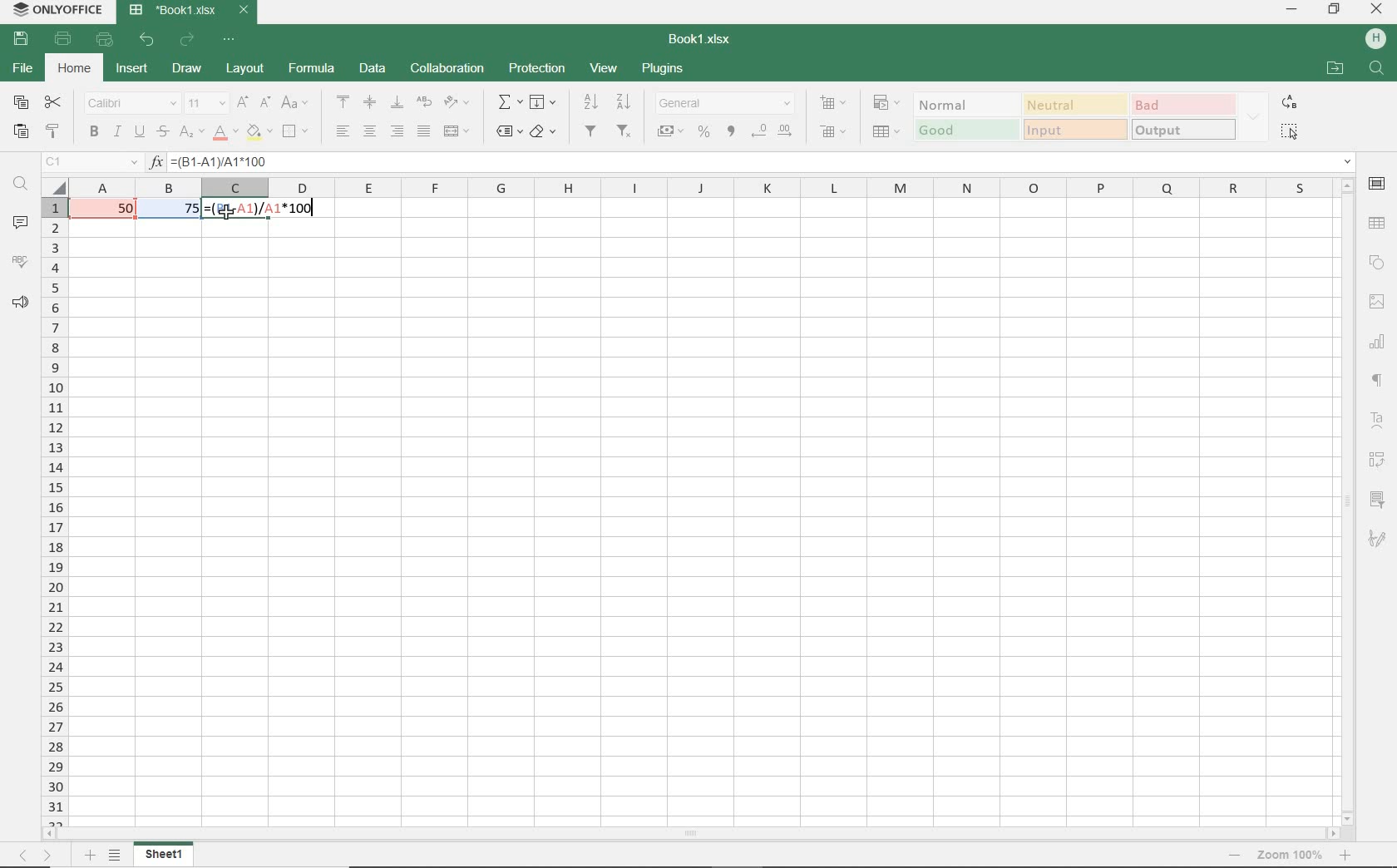  Describe the element at coordinates (603, 67) in the screenshot. I see `view` at that location.